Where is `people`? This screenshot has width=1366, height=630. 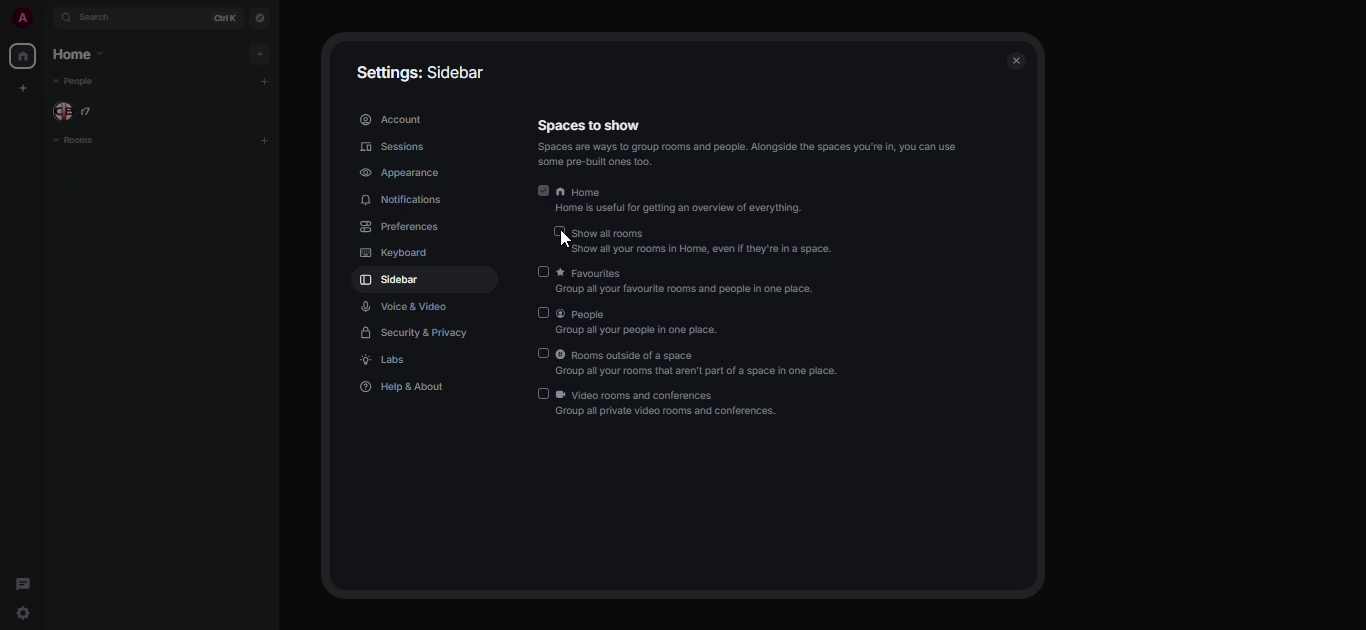
people is located at coordinates (82, 112).